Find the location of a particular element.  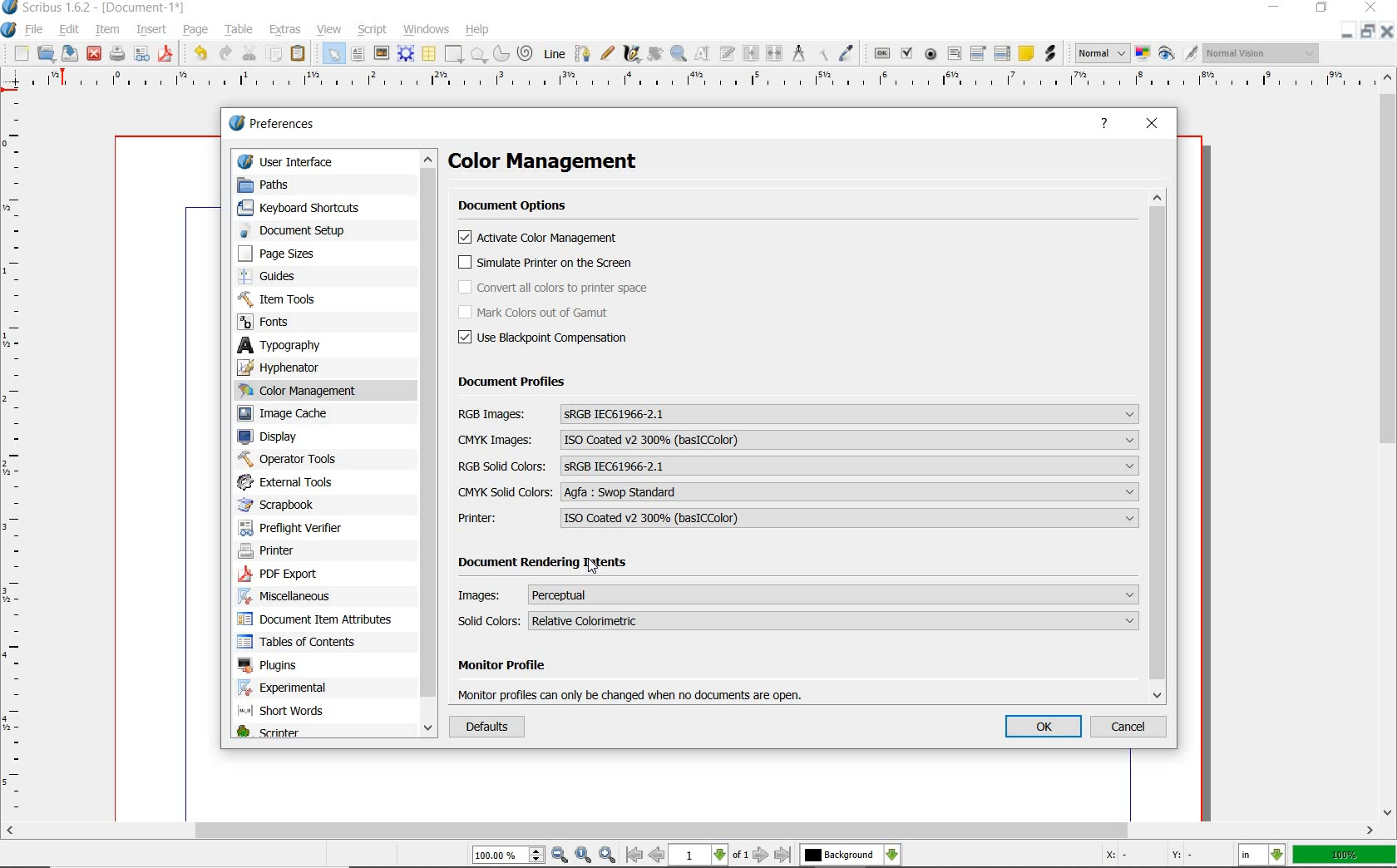

edit text with story editor is located at coordinates (728, 53).